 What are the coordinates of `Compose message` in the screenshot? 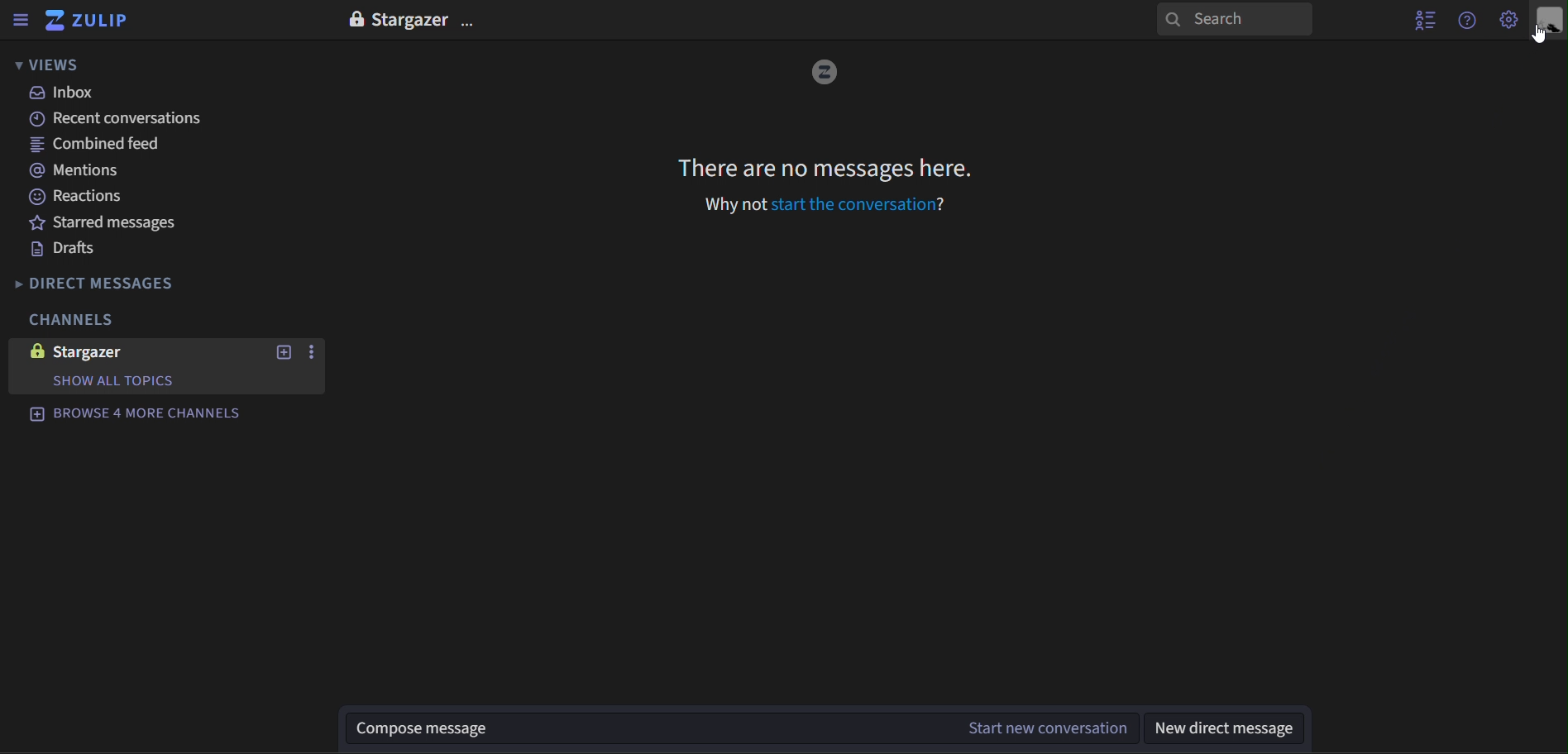 It's located at (643, 730).